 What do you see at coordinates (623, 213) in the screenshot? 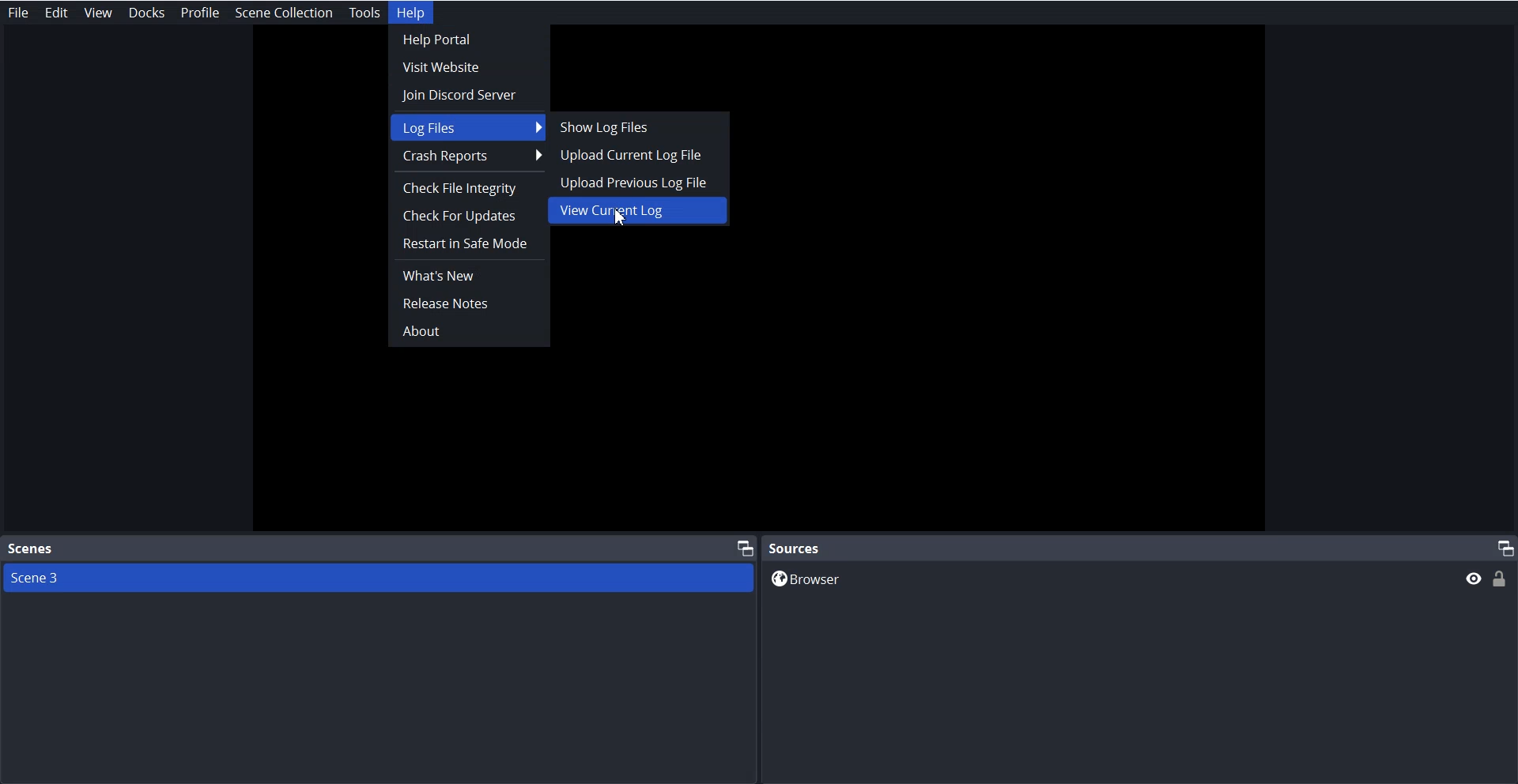
I see `Cursor` at bounding box center [623, 213].